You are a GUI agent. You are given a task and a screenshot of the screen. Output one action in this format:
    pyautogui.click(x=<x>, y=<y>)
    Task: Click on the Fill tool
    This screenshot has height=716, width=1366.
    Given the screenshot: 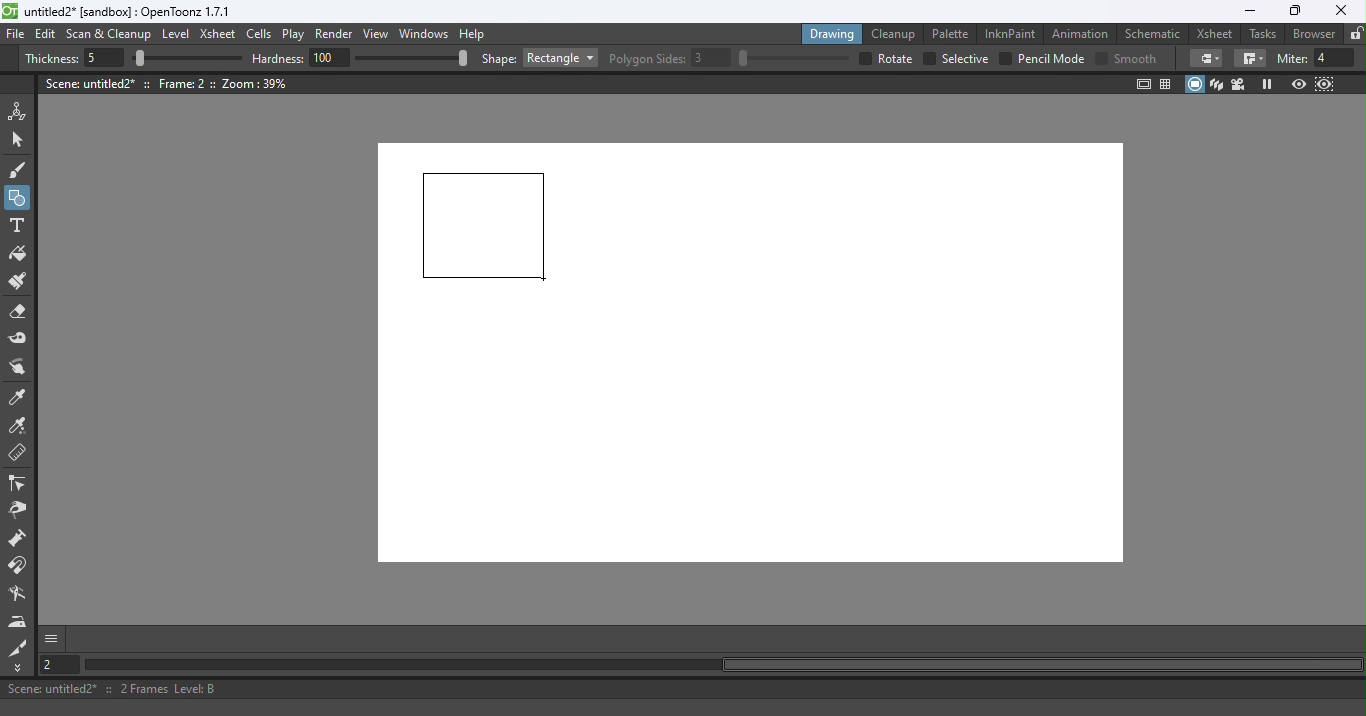 What is the action you would take?
    pyautogui.click(x=18, y=256)
    